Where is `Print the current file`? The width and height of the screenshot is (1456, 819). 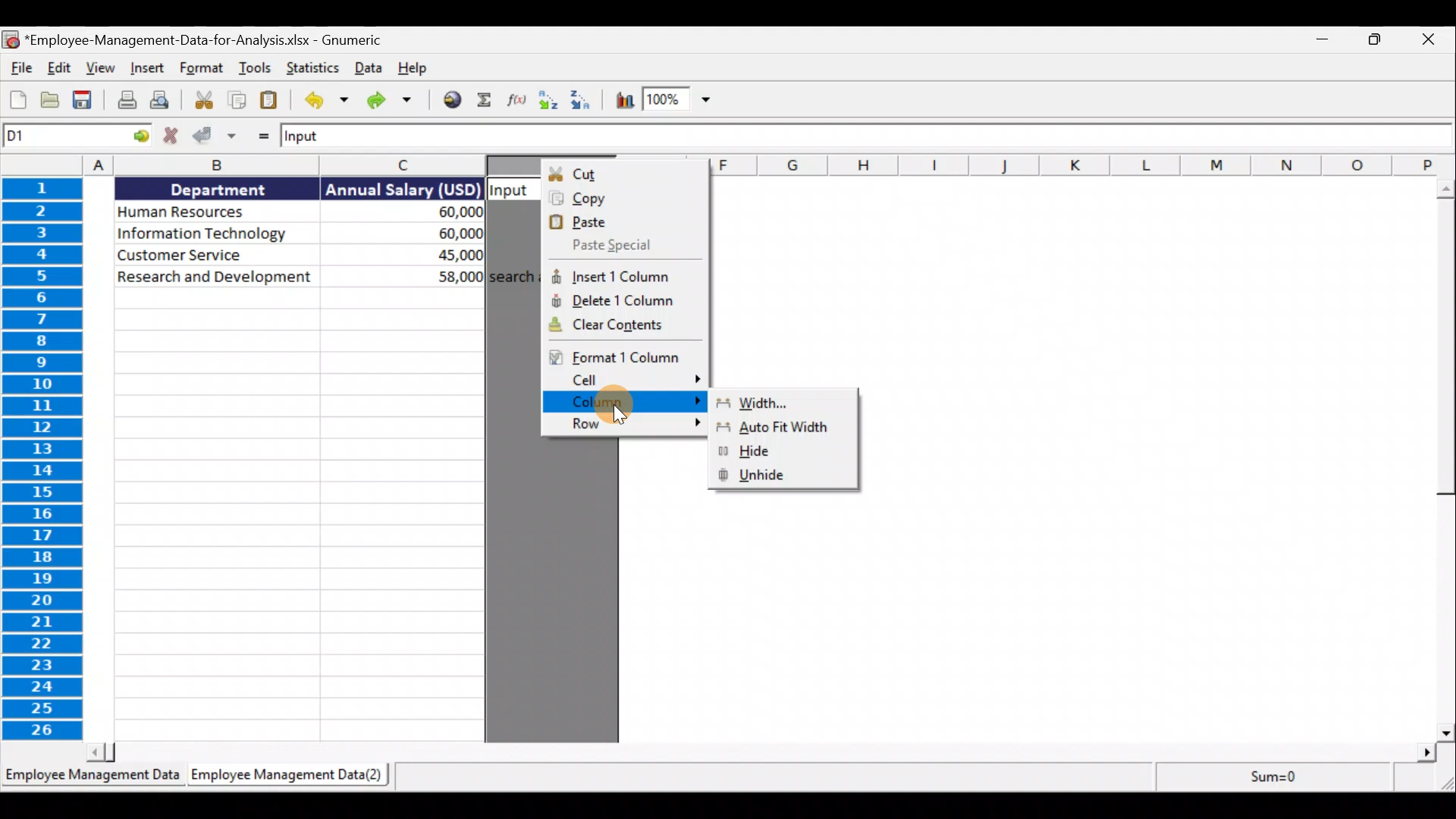 Print the current file is located at coordinates (124, 102).